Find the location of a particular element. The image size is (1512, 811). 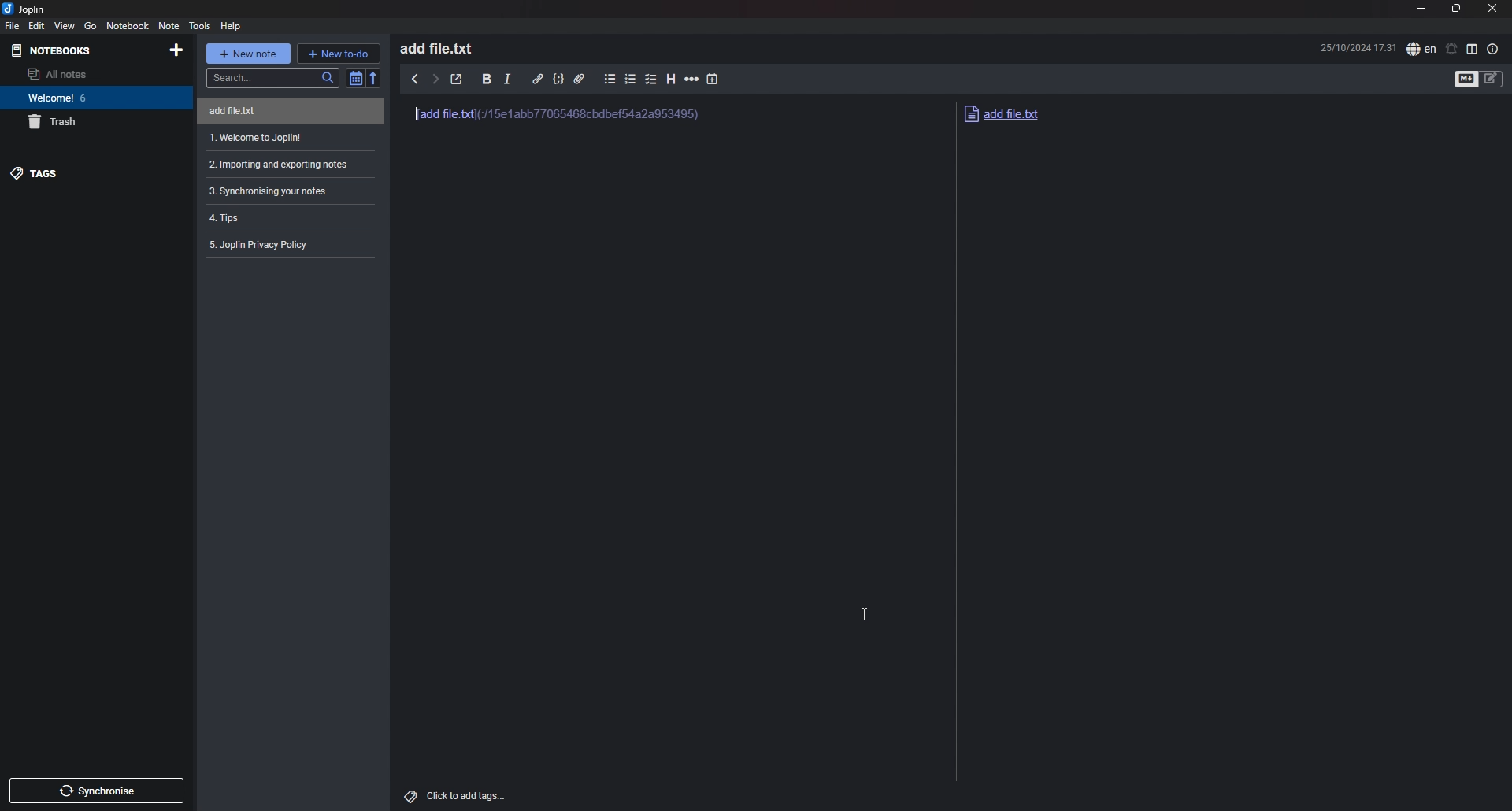

numbered list is located at coordinates (631, 79).